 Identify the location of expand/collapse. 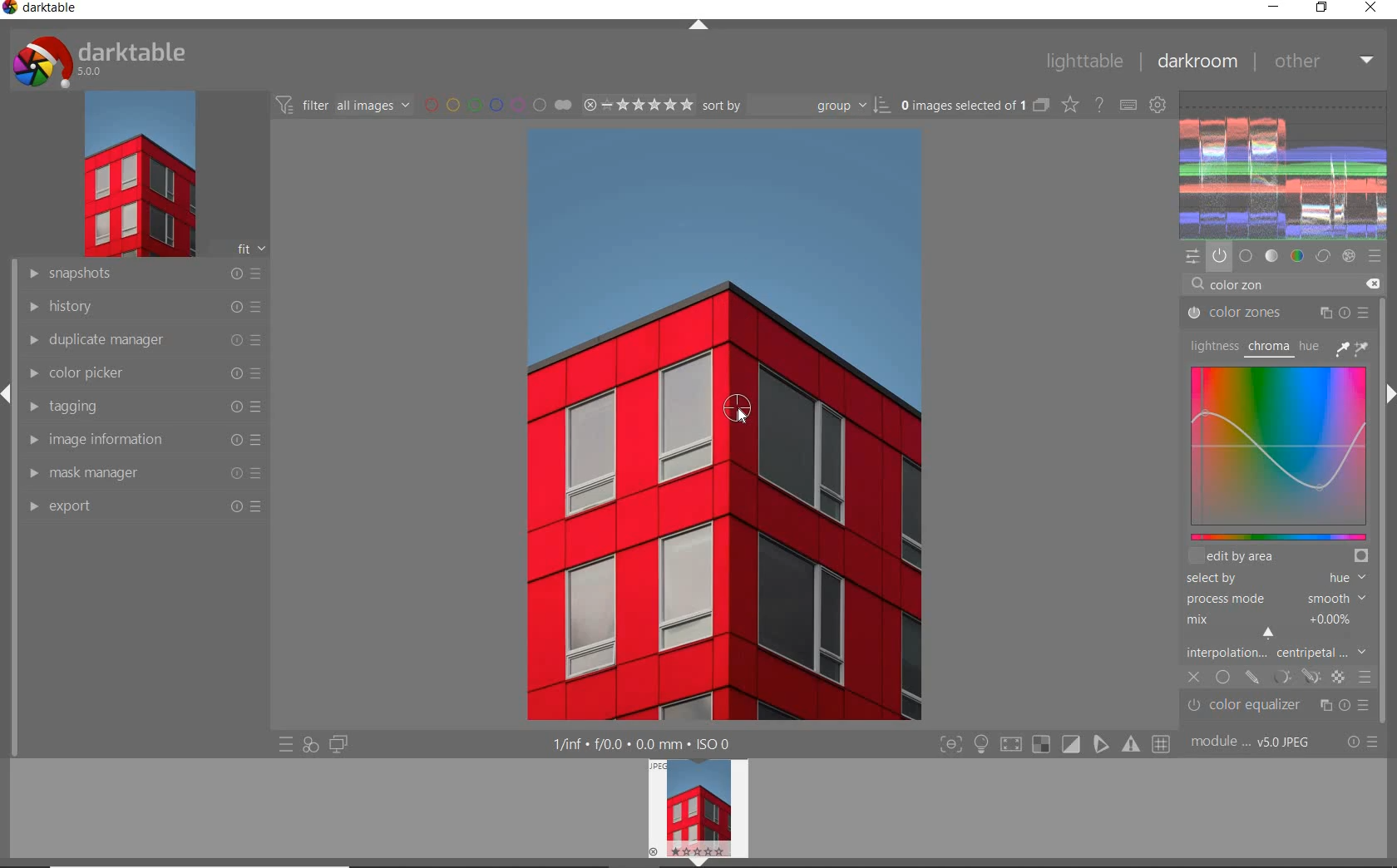
(699, 26).